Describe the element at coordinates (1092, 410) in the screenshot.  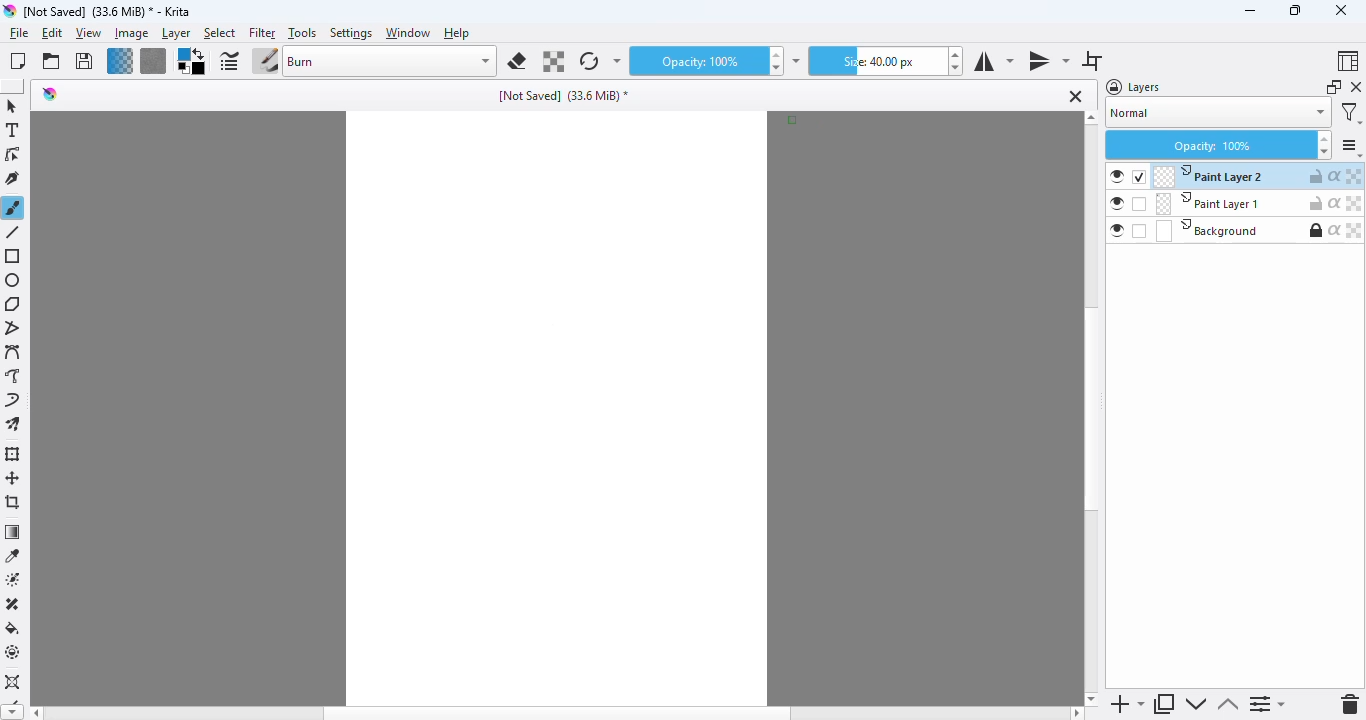
I see `vertical scroll bar` at that location.